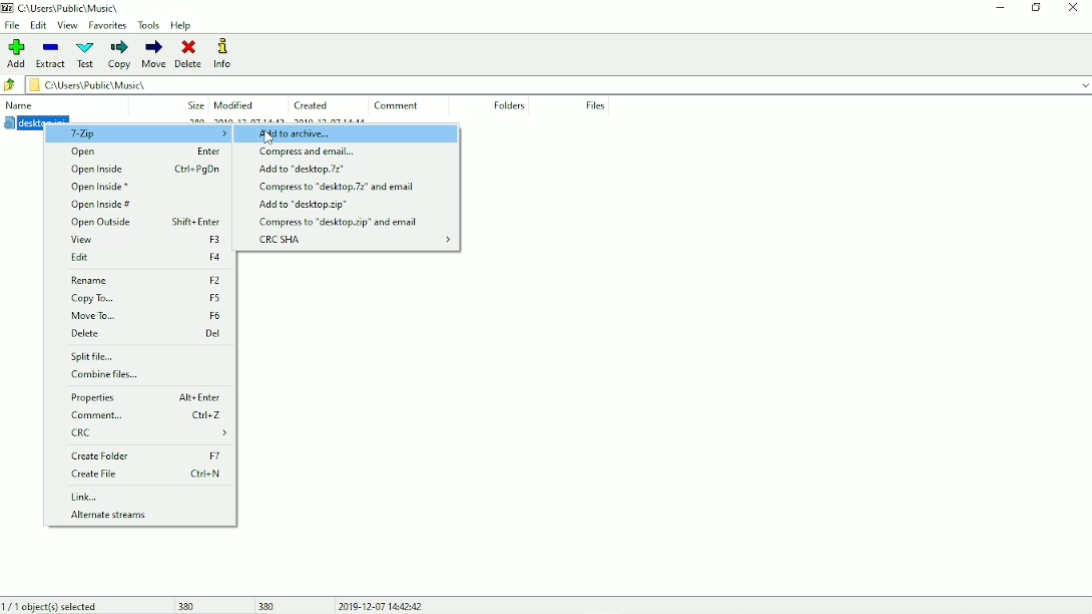 Image resolution: width=1092 pixels, height=614 pixels. What do you see at coordinates (108, 375) in the screenshot?
I see `Combine files` at bounding box center [108, 375].